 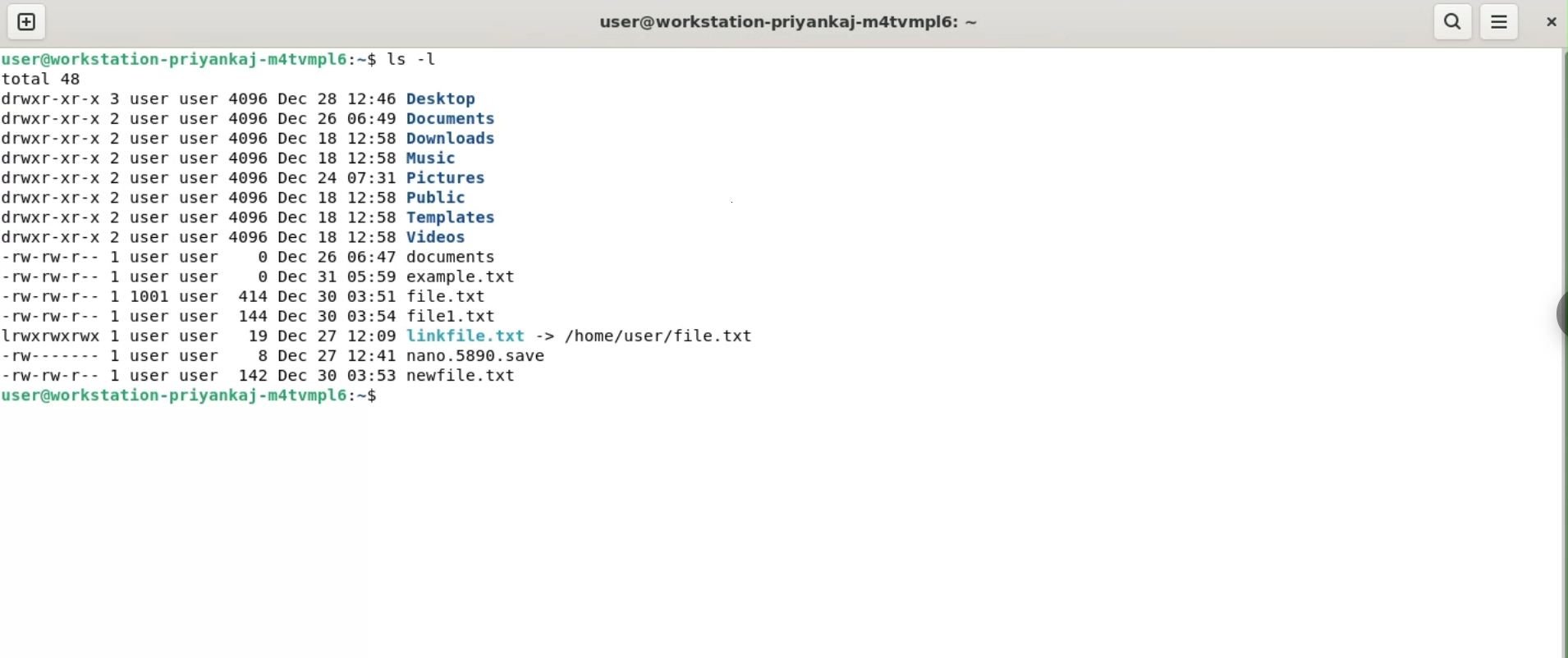 What do you see at coordinates (795, 23) in the screenshot?
I see `user@workstation-priyankaj-m4tvmpl6: ~` at bounding box center [795, 23].